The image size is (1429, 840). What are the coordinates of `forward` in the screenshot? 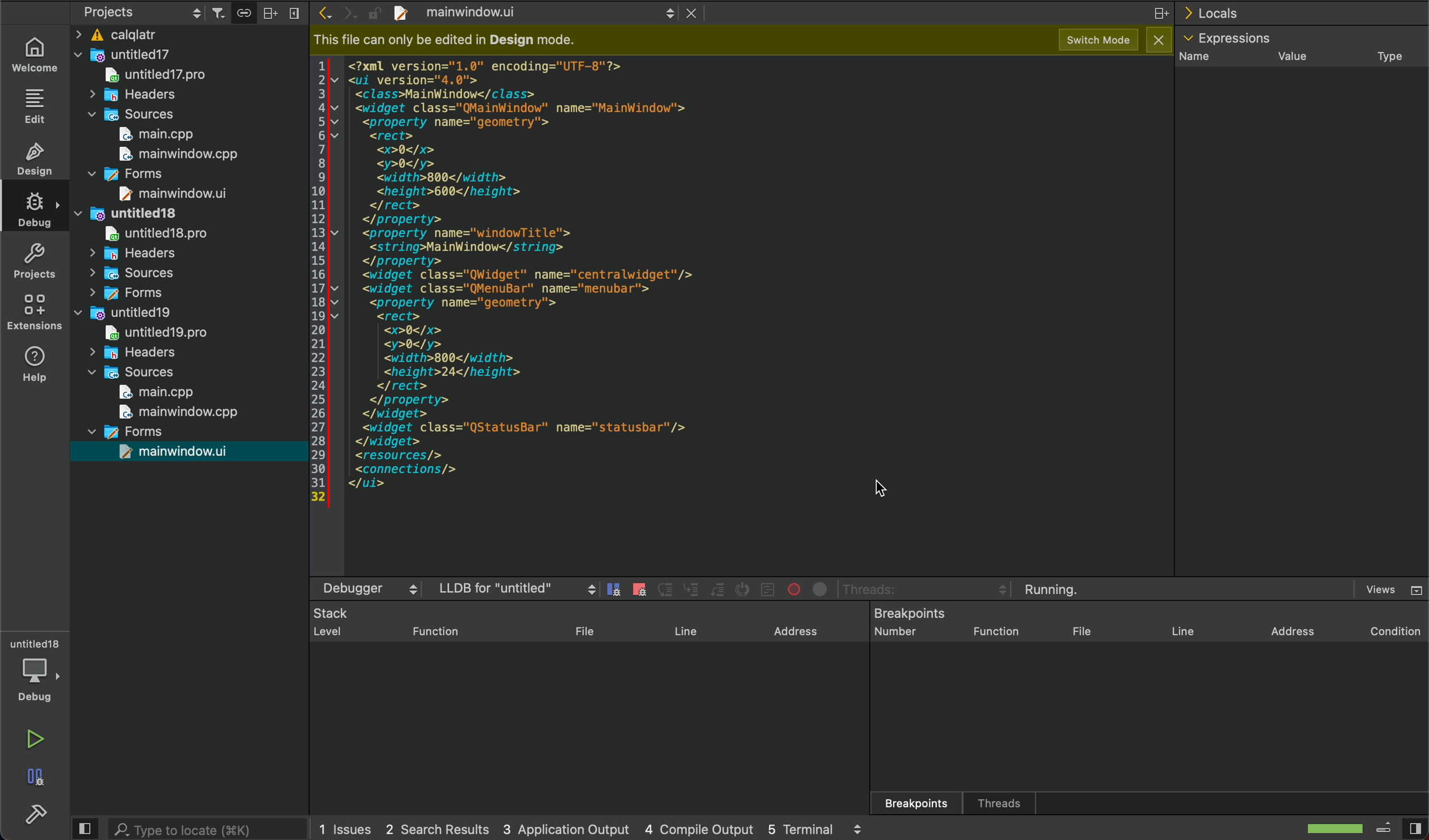 It's located at (348, 12).